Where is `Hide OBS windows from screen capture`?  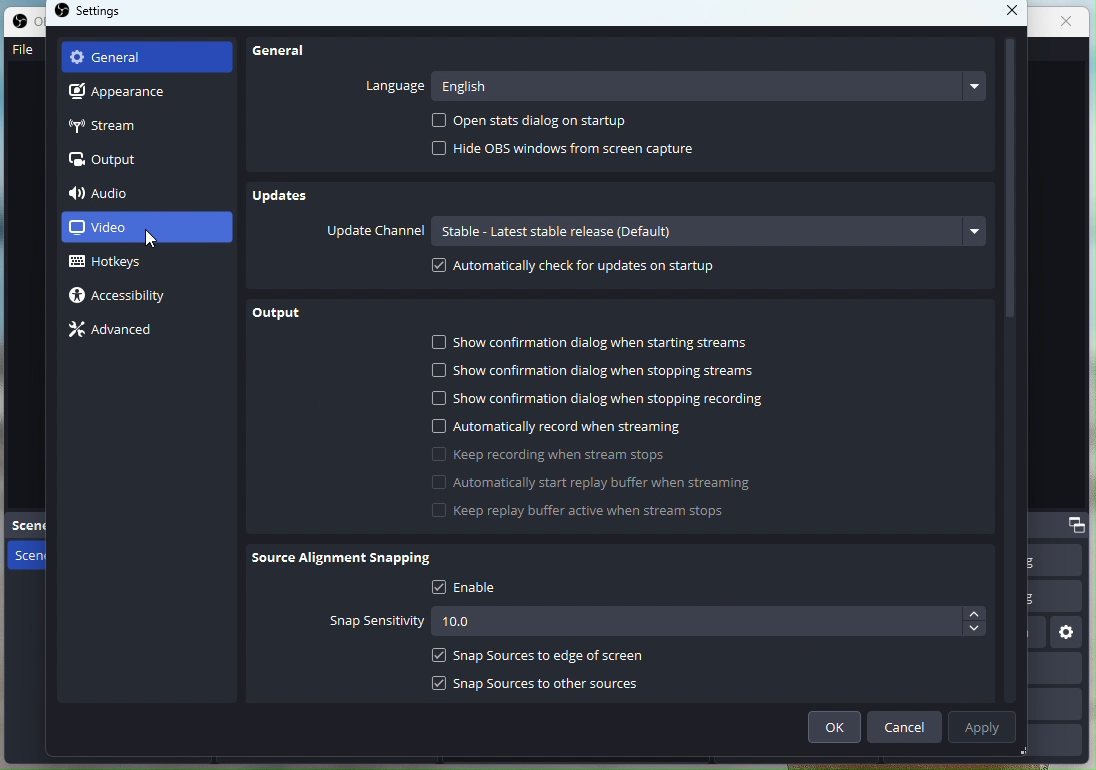
Hide OBS windows from screen capture is located at coordinates (565, 148).